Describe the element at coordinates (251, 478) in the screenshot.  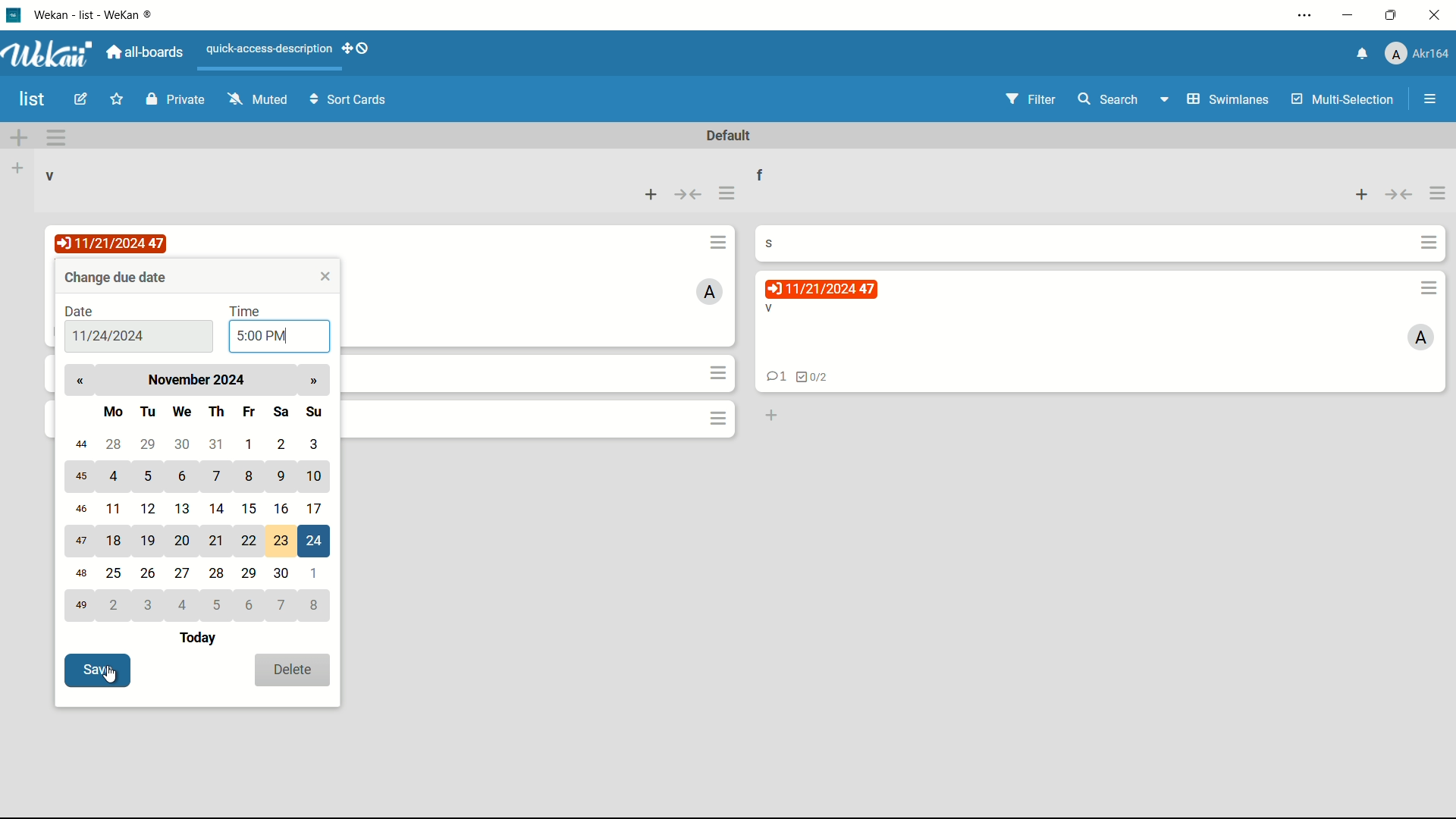
I see `8` at that location.